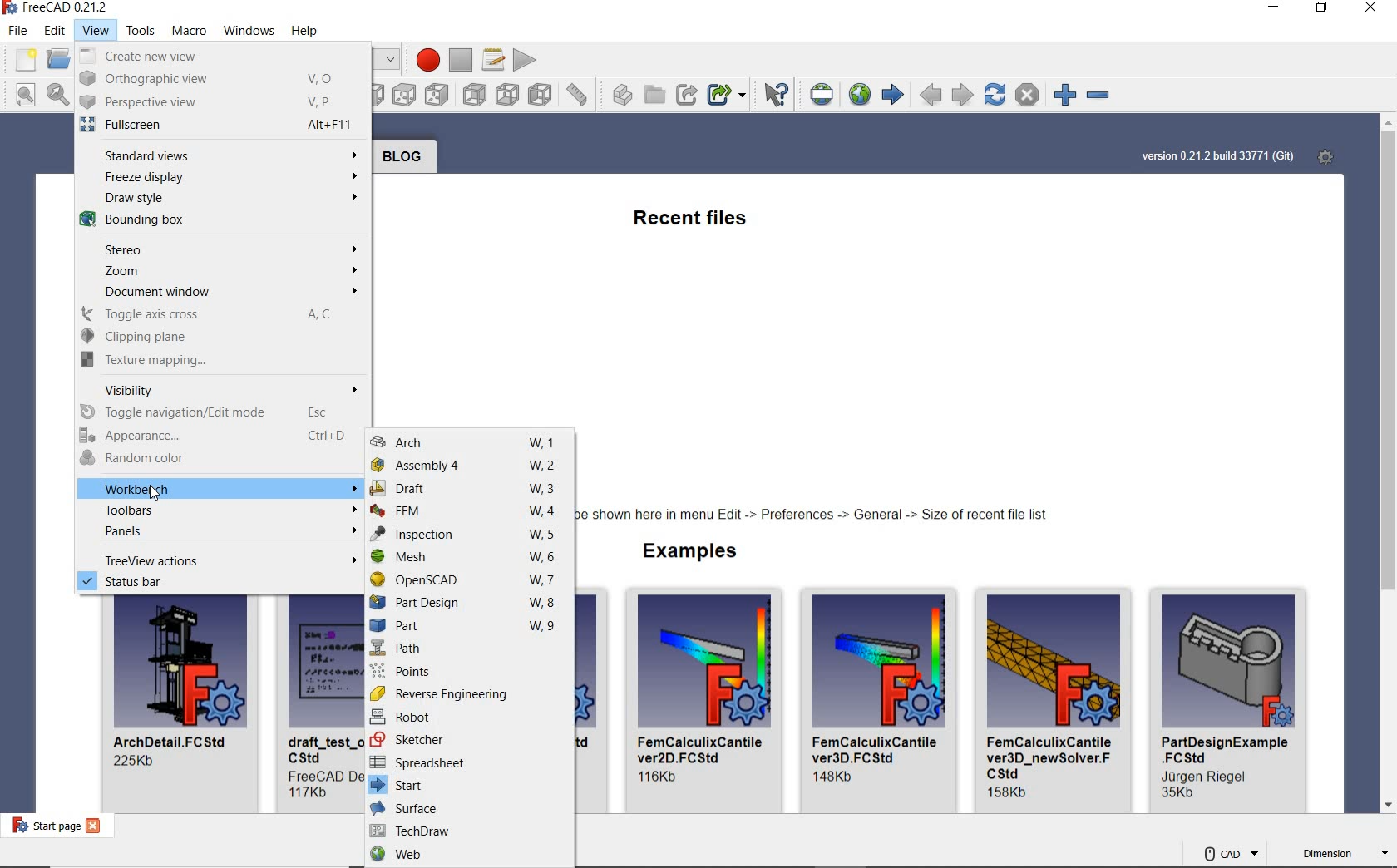 The height and width of the screenshot is (868, 1397). I want to click on start page, so click(43, 827).